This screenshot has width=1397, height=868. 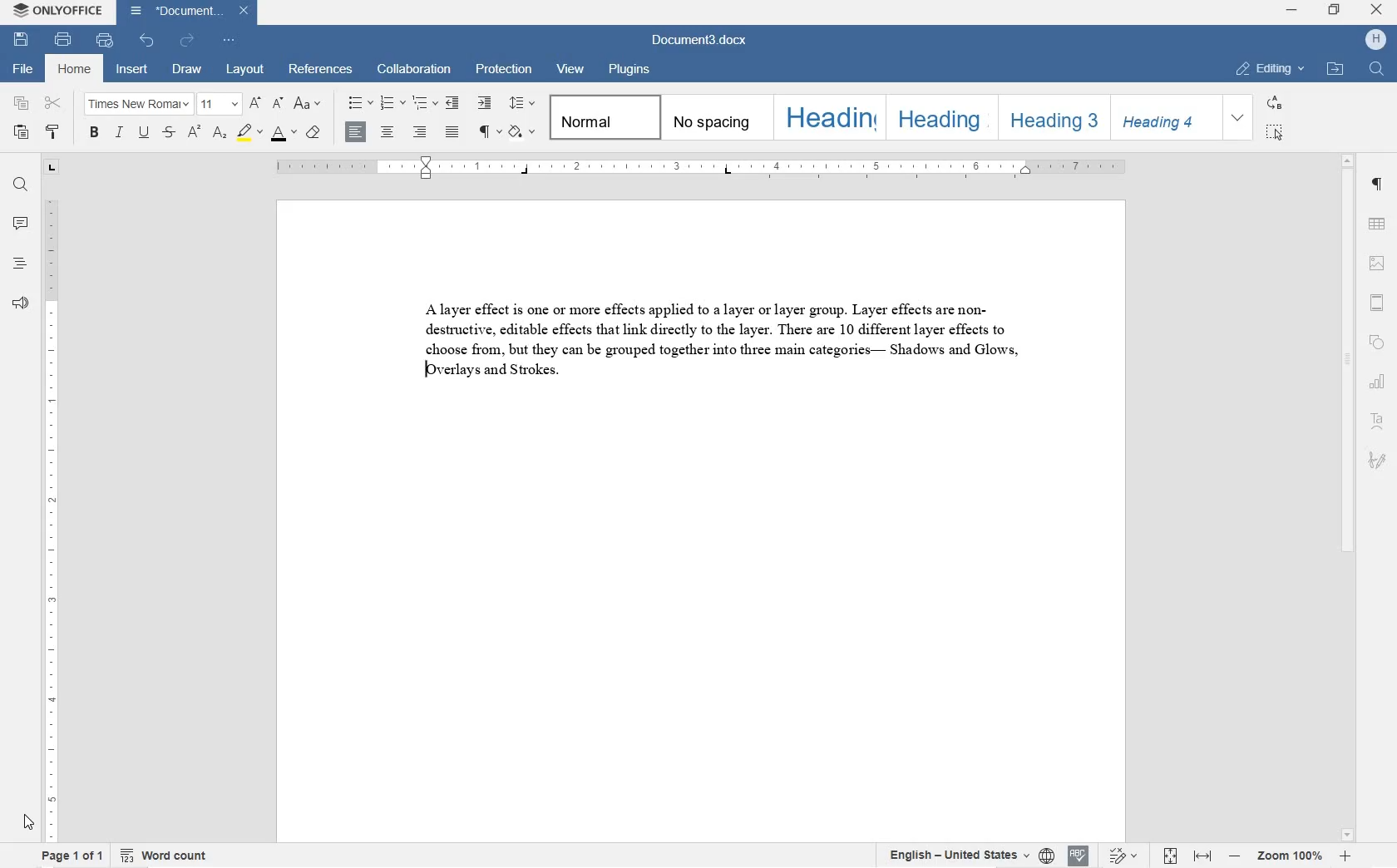 What do you see at coordinates (229, 40) in the screenshot?
I see `customize quick access toolbar` at bounding box center [229, 40].